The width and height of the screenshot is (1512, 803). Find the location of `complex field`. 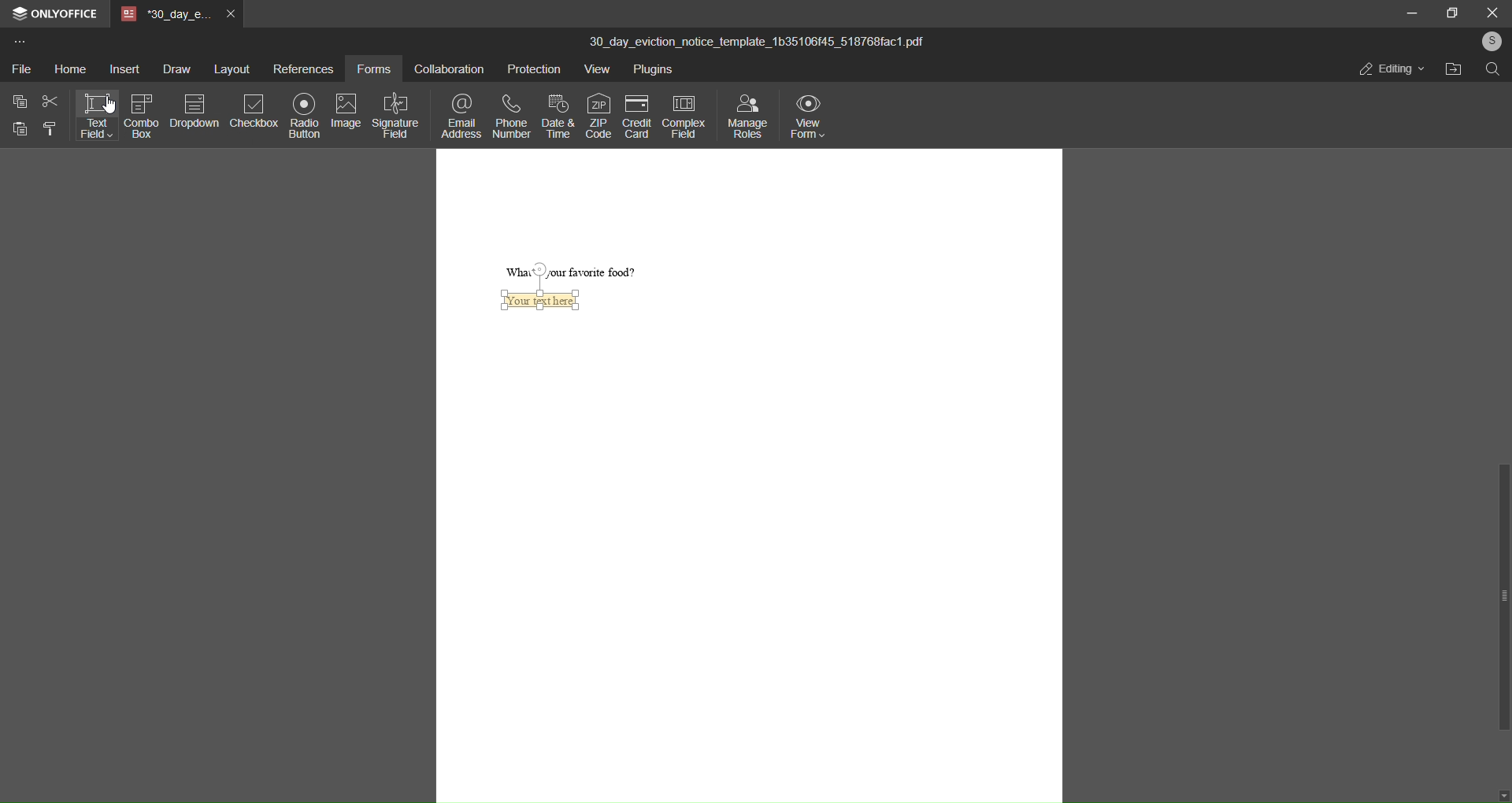

complex field is located at coordinates (681, 114).